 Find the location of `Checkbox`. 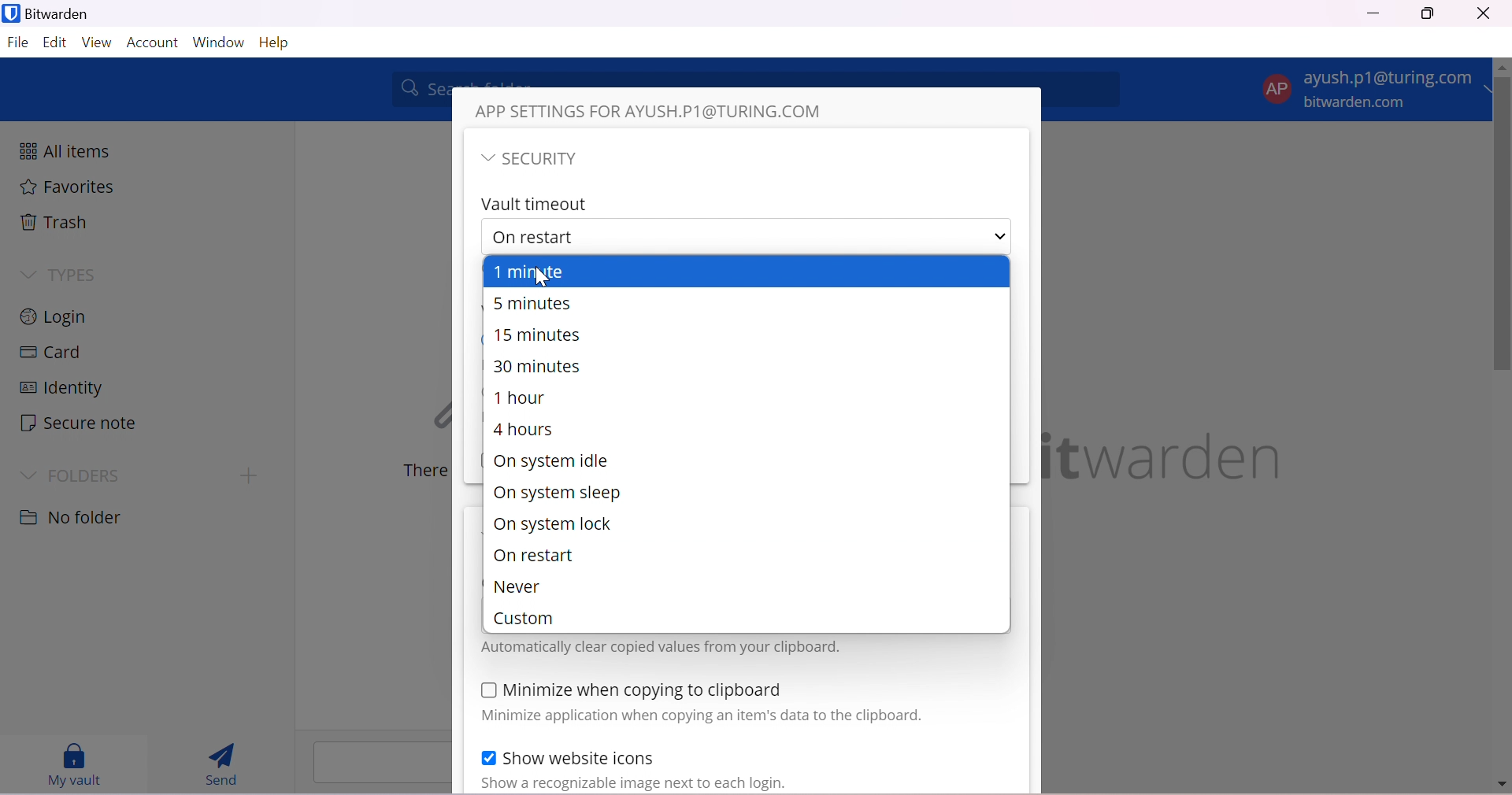

Checkbox is located at coordinates (487, 756).